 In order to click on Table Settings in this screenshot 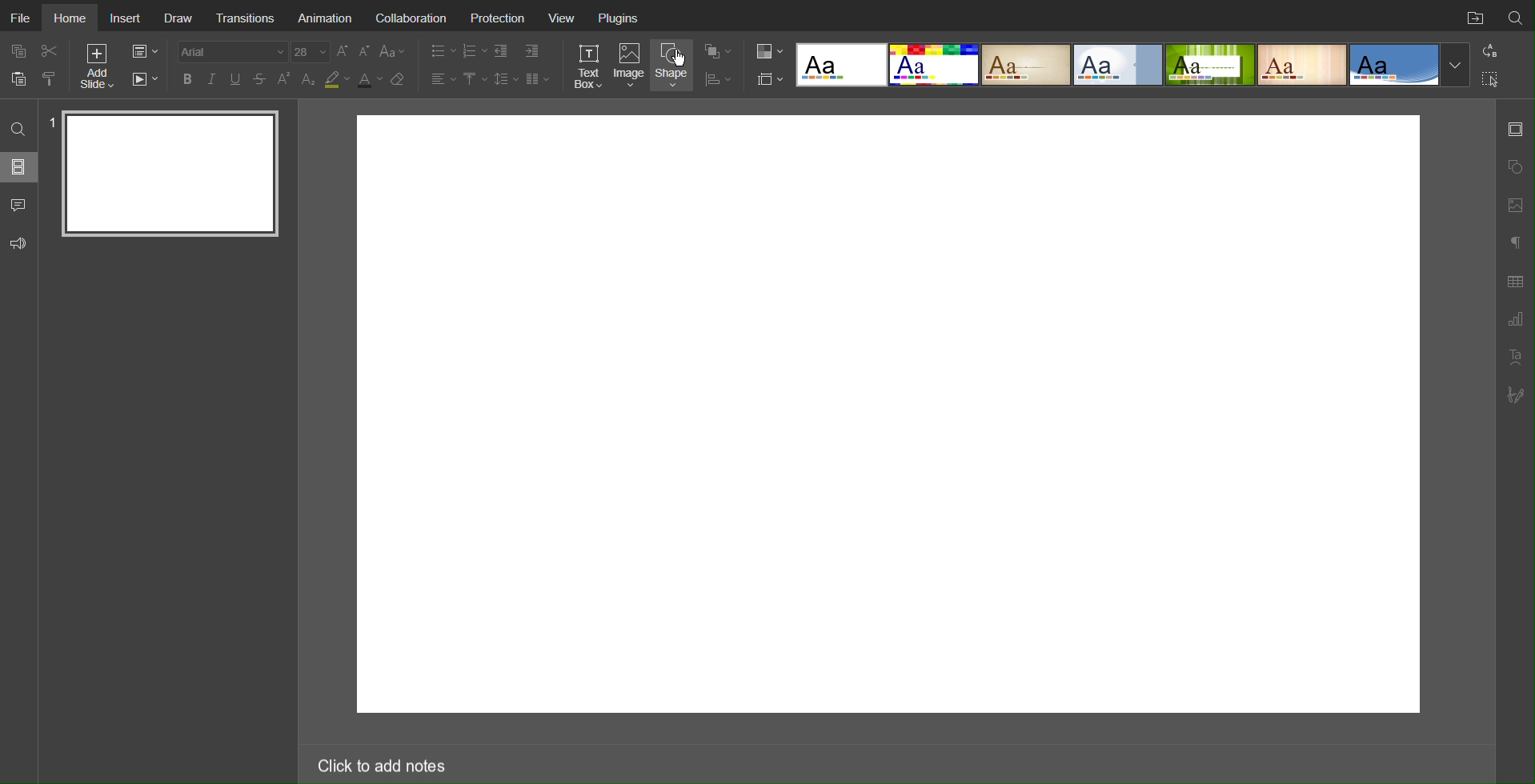, I will do `click(1515, 280)`.